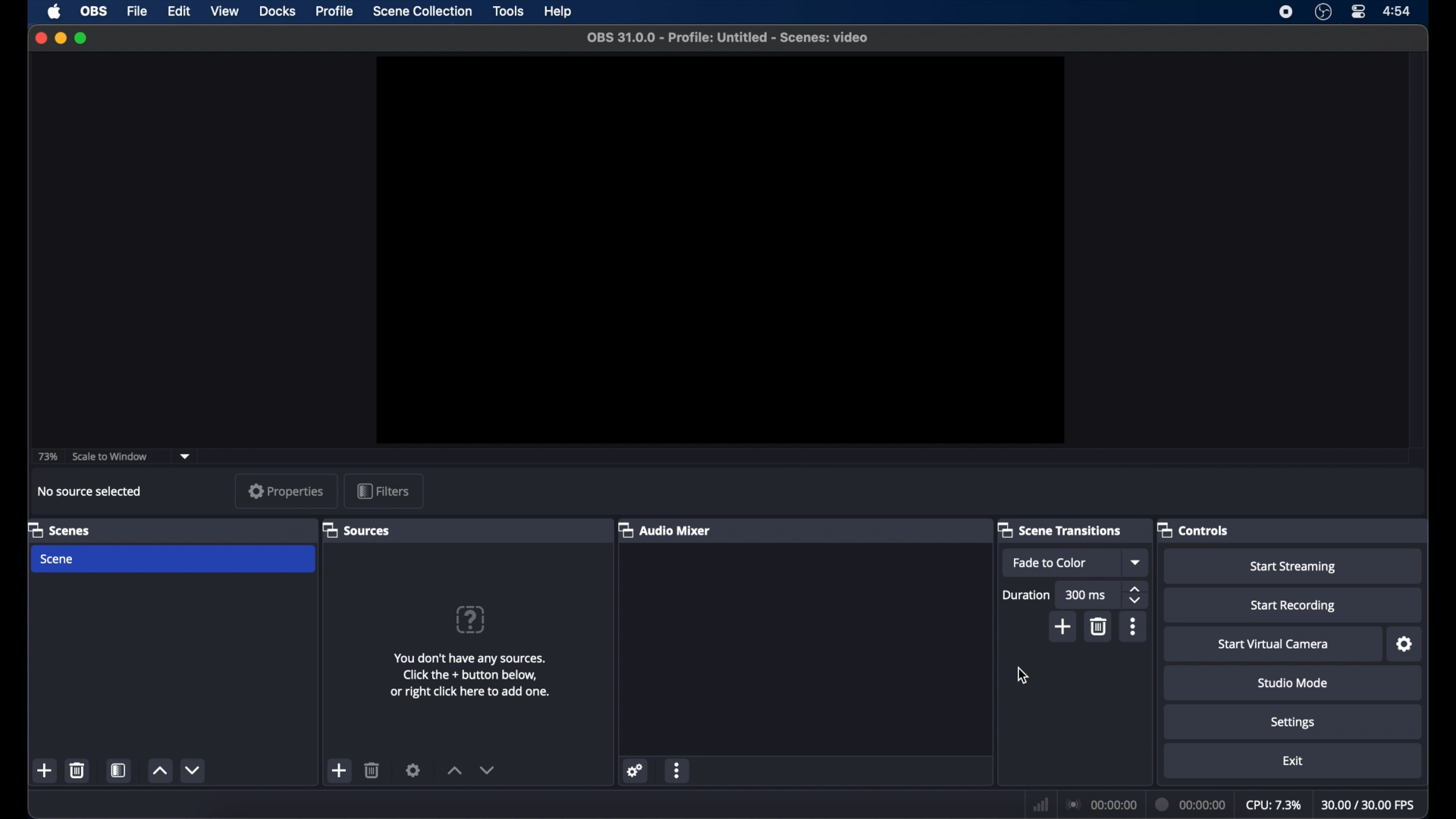 This screenshot has height=819, width=1456. What do you see at coordinates (1137, 562) in the screenshot?
I see `dropdown` at bounding box center [1137, 562].